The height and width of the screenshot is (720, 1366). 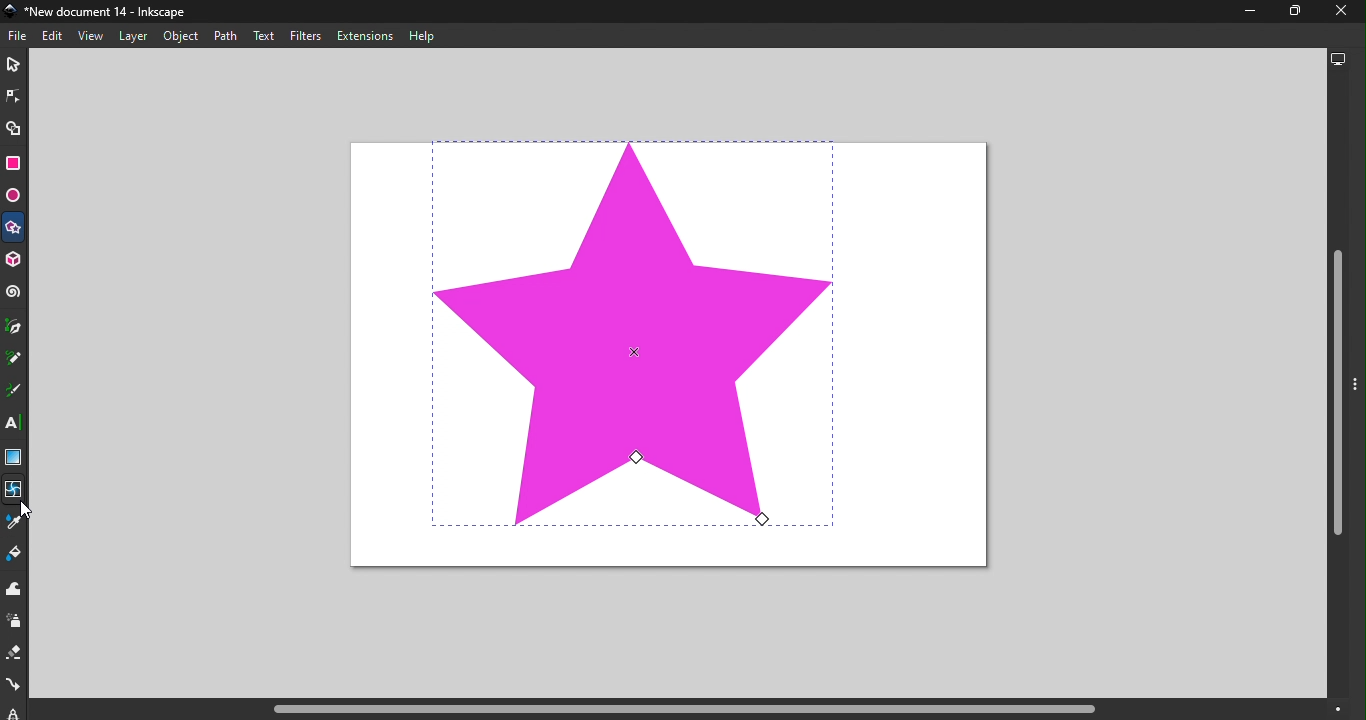 What do you see at coordinates (181, 35) in the screenshot?
I see `Object` at bounding box center [181, 35].